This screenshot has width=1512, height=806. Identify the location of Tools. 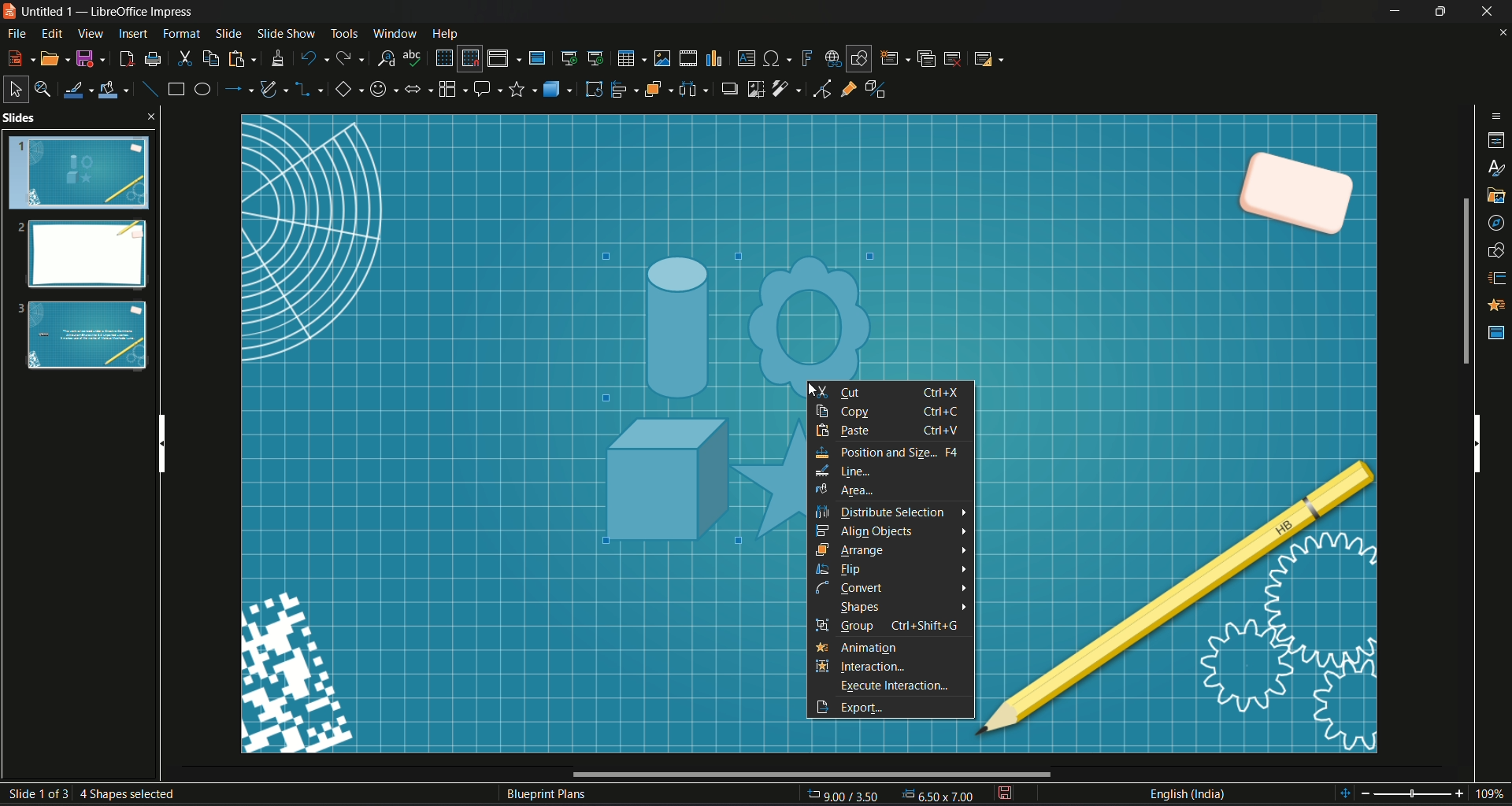
(343, 31).